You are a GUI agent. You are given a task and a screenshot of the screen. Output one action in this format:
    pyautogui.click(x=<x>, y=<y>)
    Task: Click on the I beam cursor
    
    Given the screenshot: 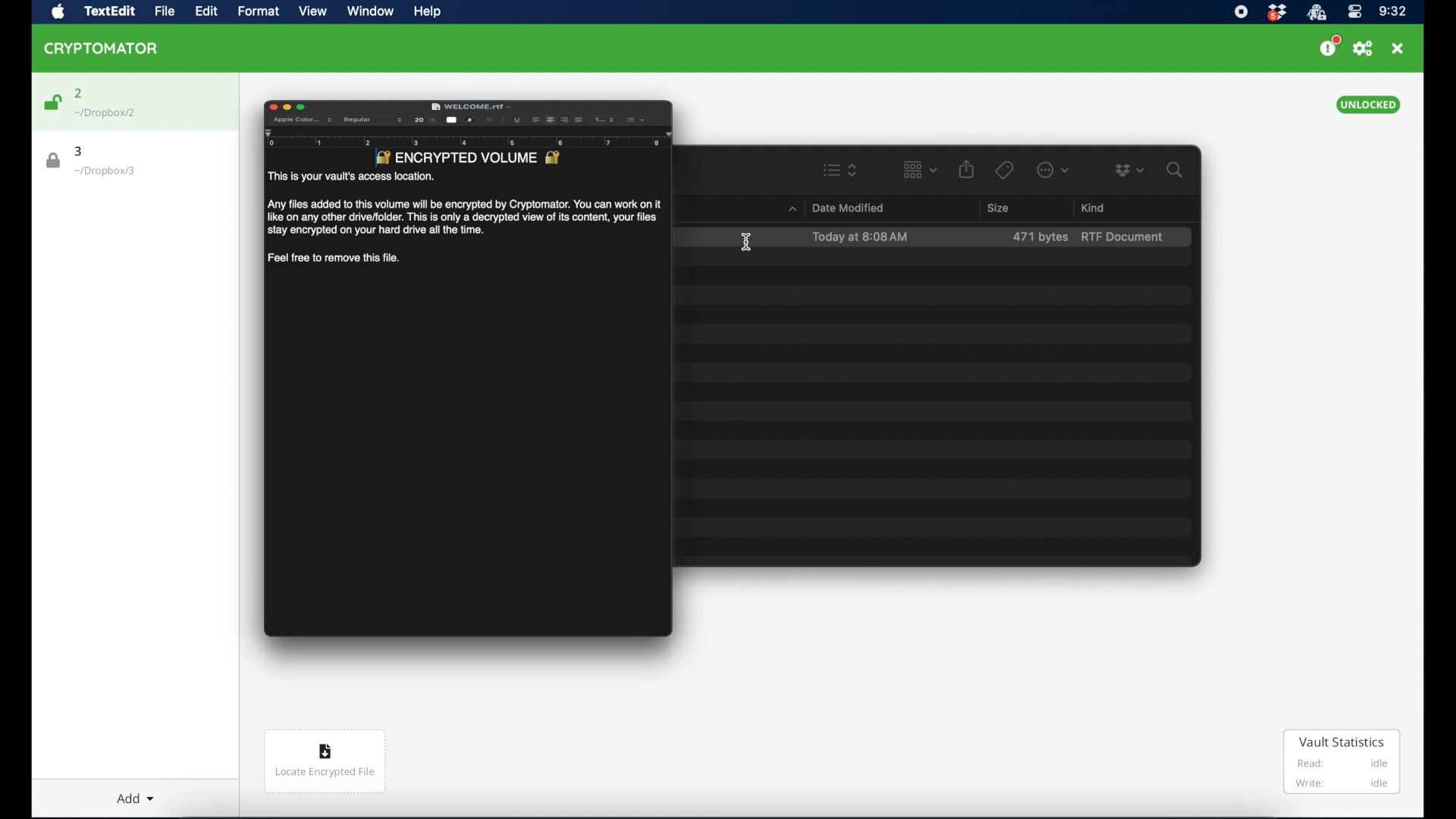 What is the action you would take?
    pyautogui.click(x=748, y=242)
    